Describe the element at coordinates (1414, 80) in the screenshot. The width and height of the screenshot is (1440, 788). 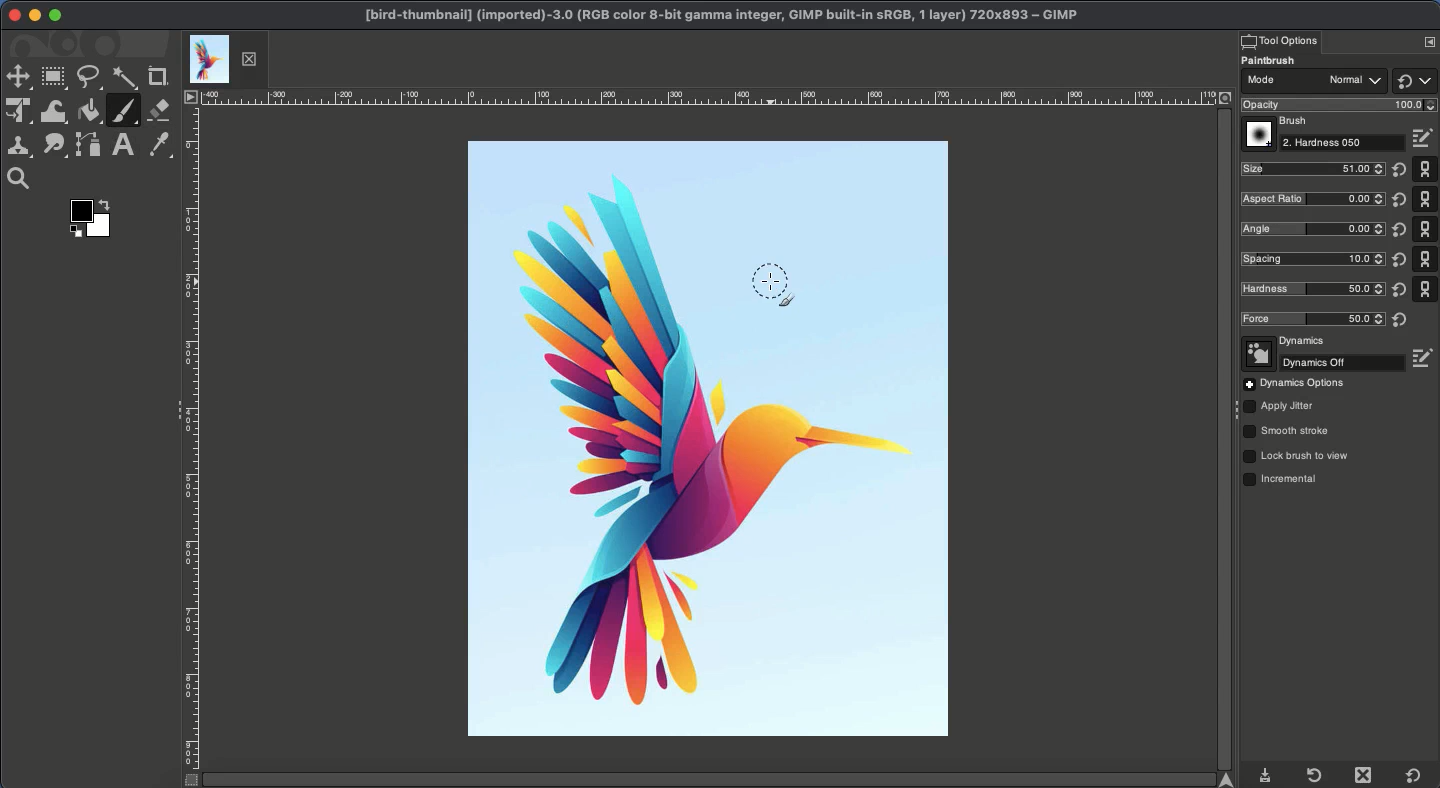
I see `Default` at that location.